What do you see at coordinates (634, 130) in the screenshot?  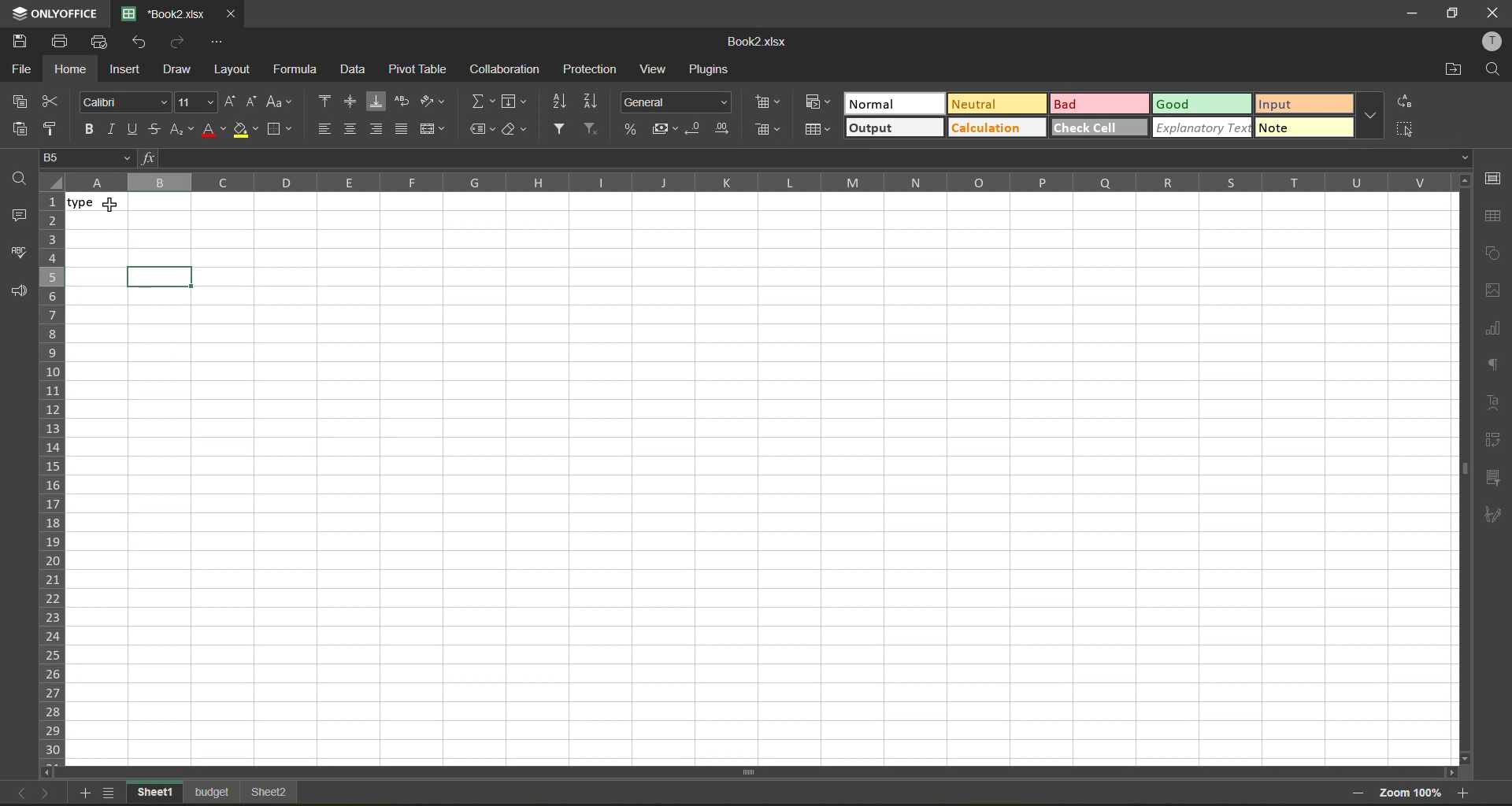 I see `percent` at bounding box center [634, 130].